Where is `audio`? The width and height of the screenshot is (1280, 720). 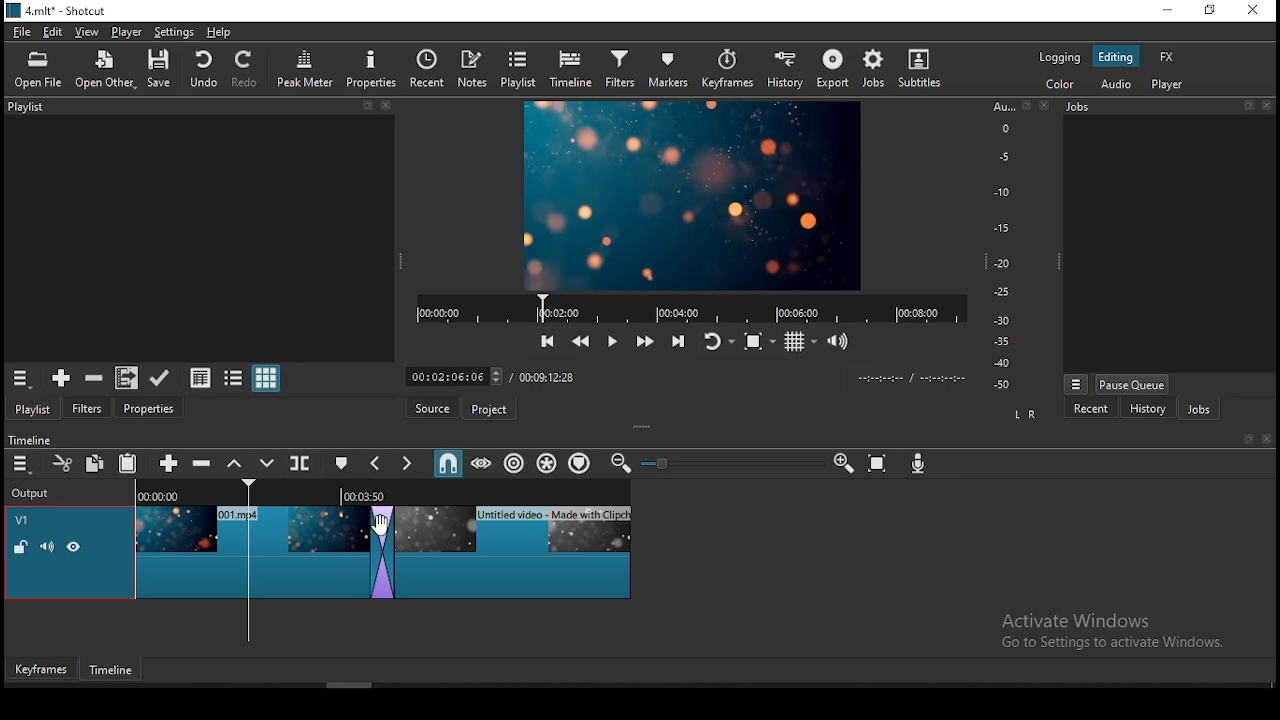
audio is located at coordinates (1120, 84).